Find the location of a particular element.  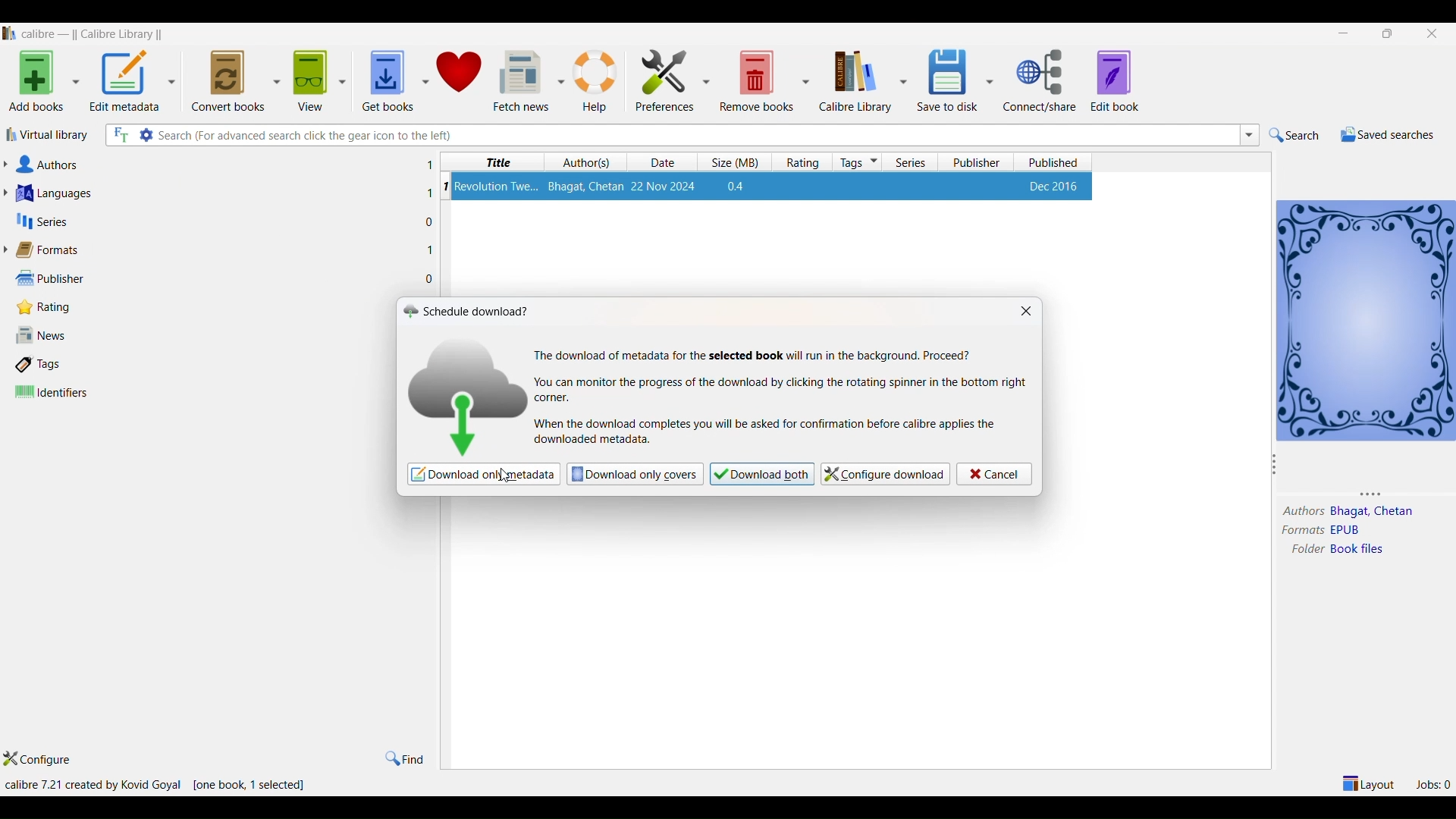

publisher is located at coordinates (981, 162).